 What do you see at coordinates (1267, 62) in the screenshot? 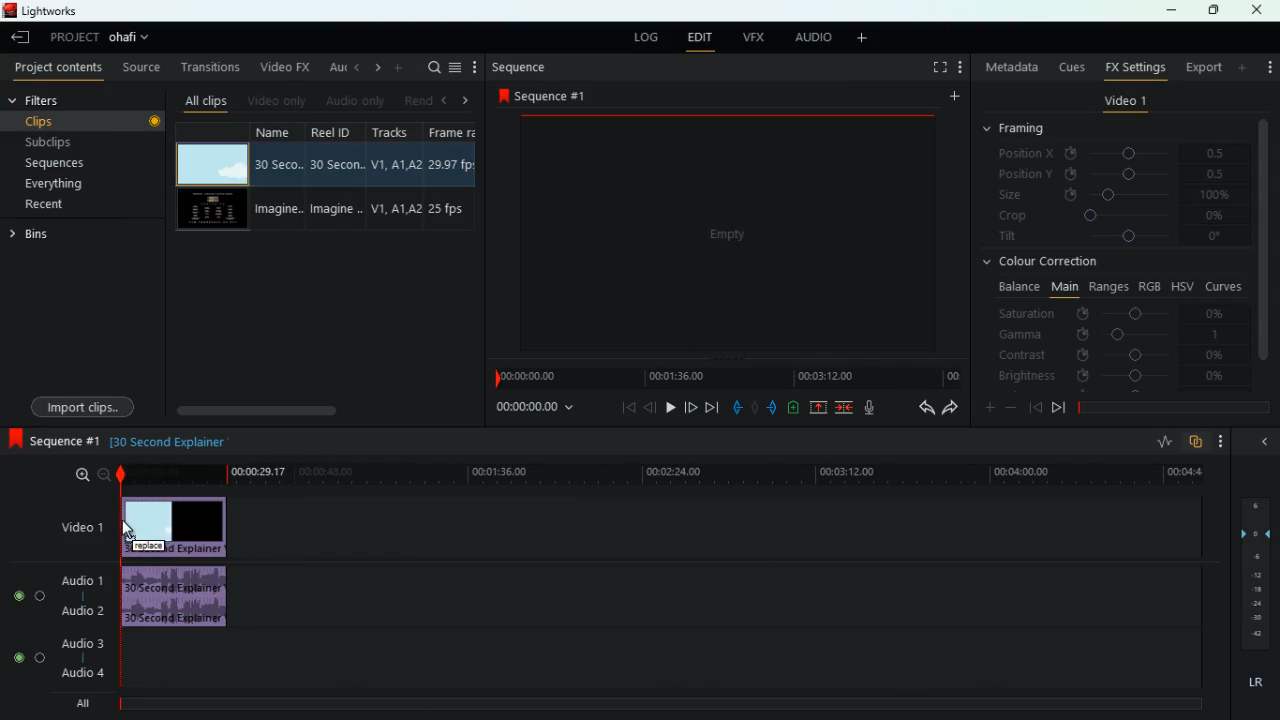
I see `more` at bounding box center [1267, 62].